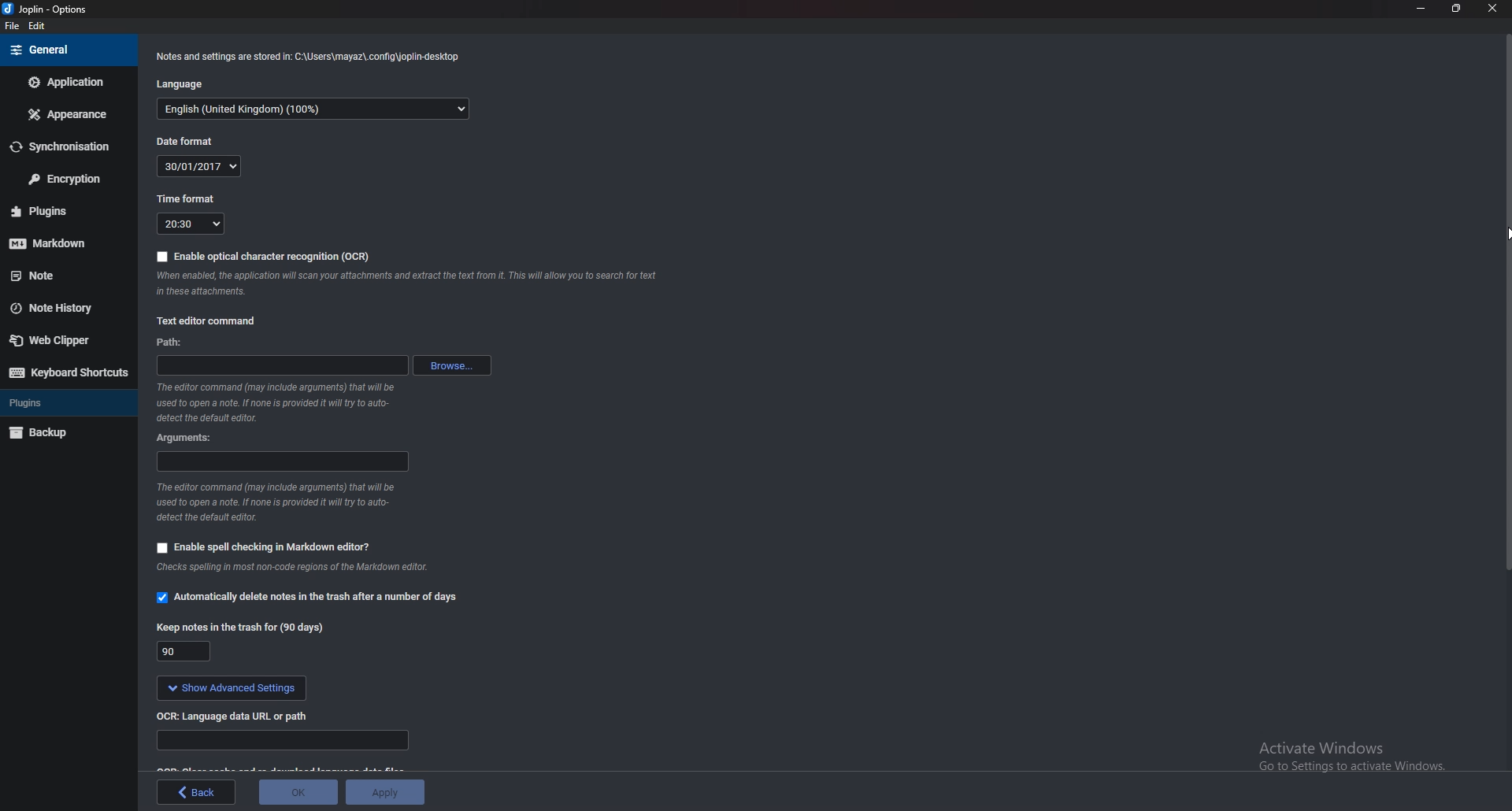  Describe the element at coordinates (65, 244) in the screenshot. I see `markdown` at that location.